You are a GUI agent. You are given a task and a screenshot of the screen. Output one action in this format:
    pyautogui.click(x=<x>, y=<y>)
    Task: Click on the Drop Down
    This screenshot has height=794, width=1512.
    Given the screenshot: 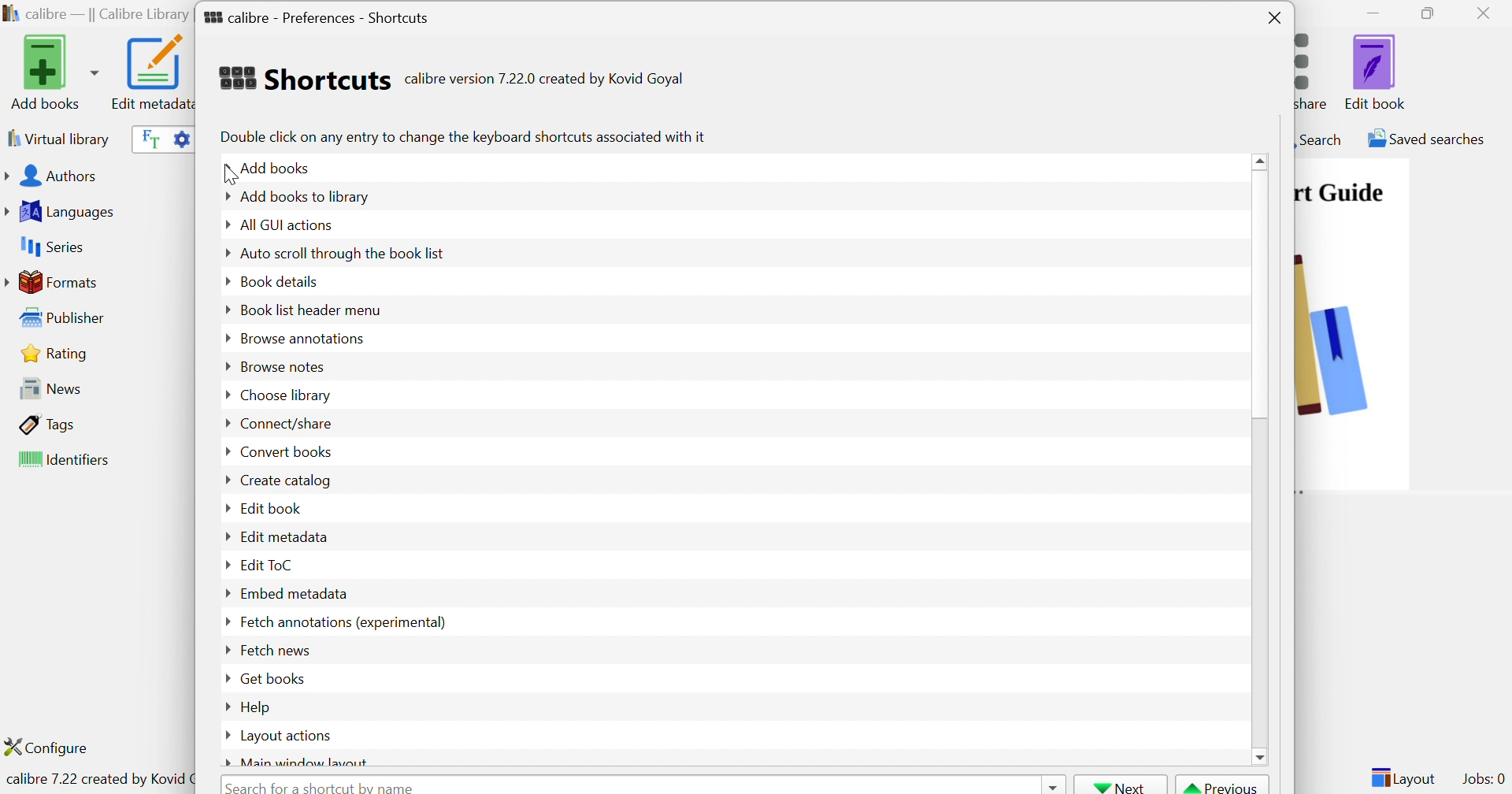 What is the action you would take?
    pyautogui.click(x=221, y=196)
    